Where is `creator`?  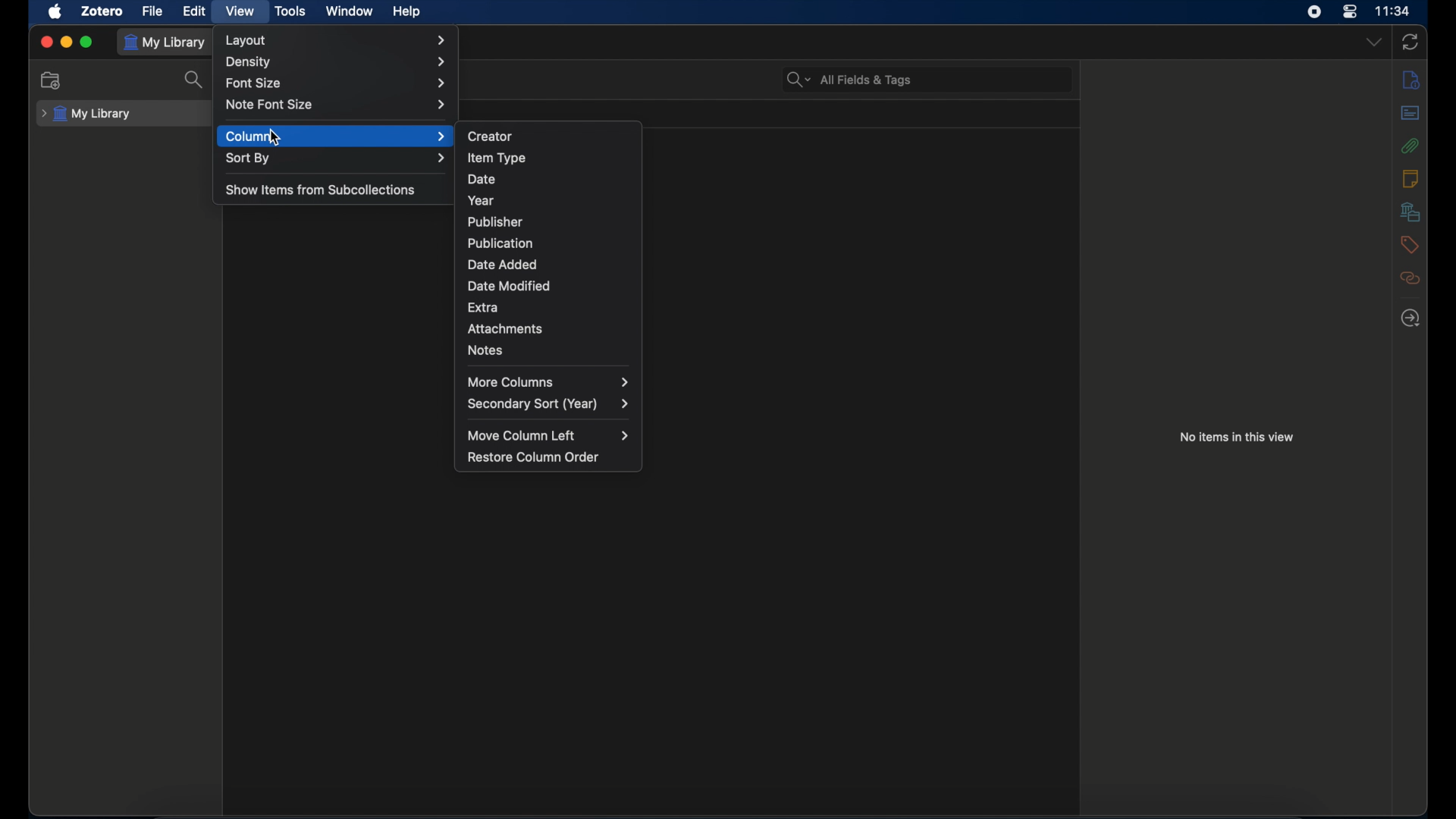 creator is located at coordinates (491, 135).